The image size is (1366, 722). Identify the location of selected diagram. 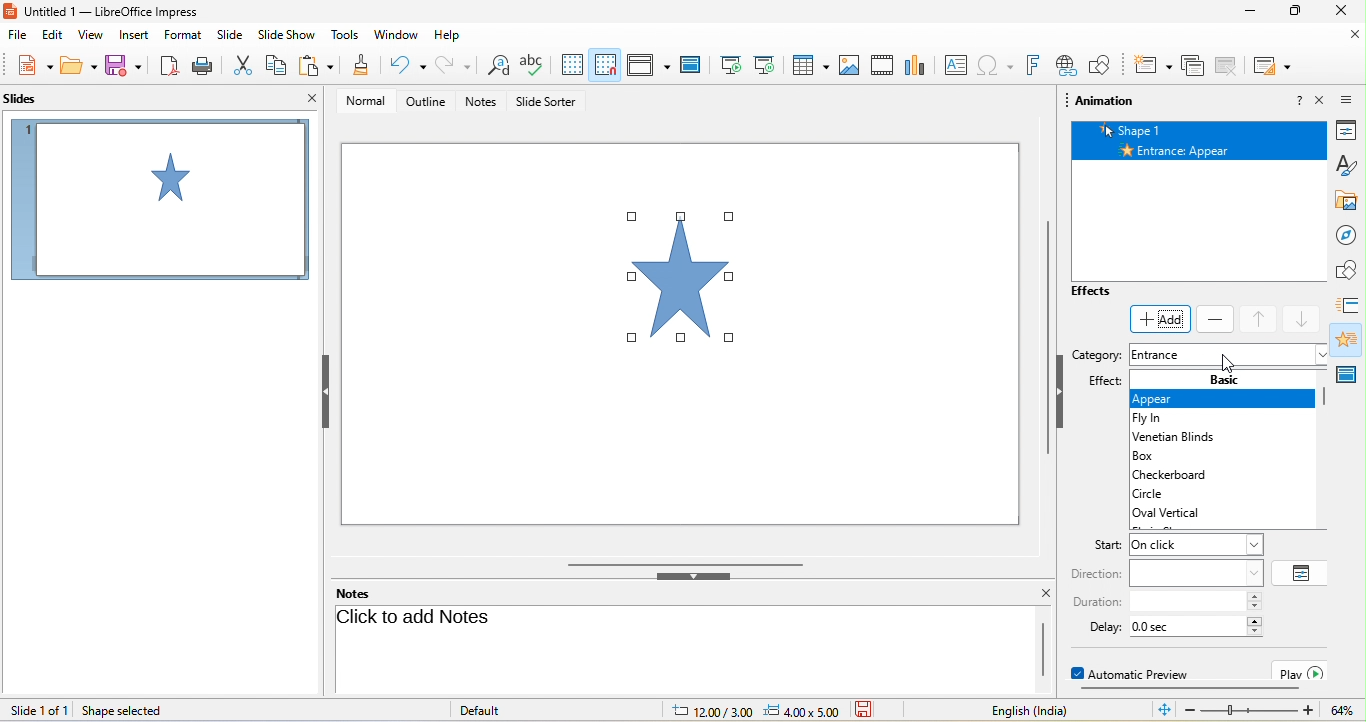
(689, 281).